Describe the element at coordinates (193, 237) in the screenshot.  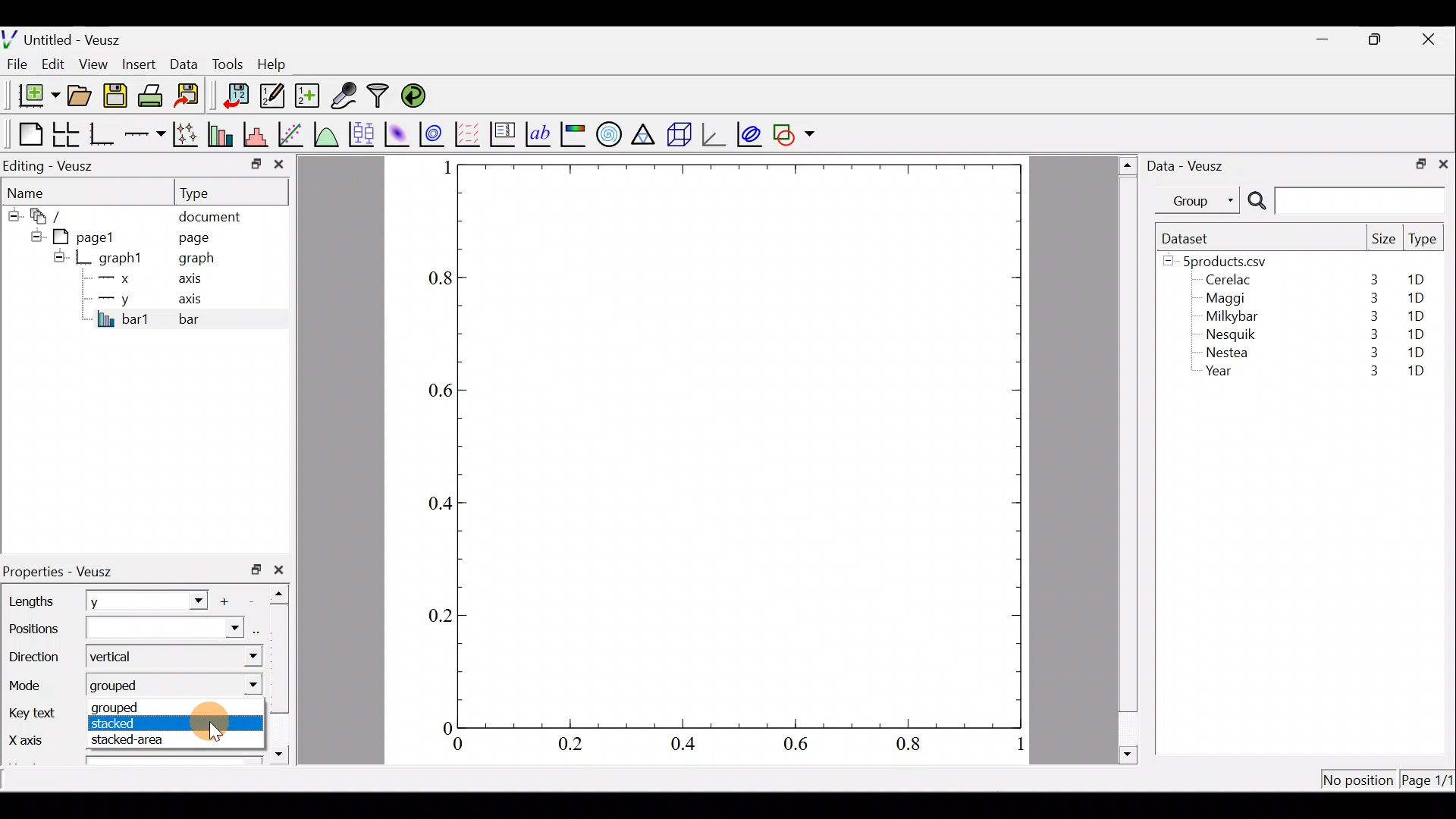
I see `page` at that location.